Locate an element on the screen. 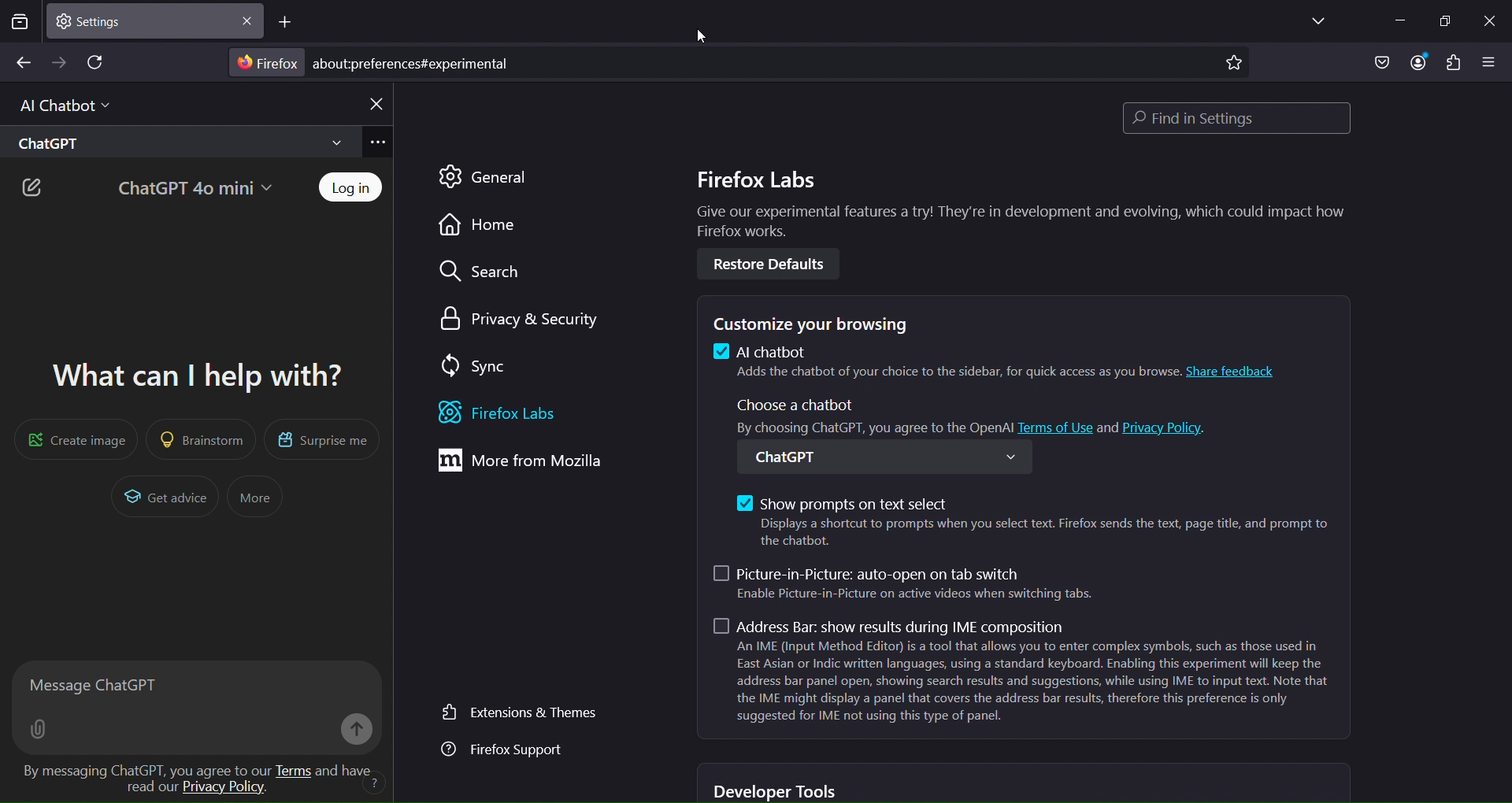 This screenshot has width=1512, height=803. [J Address Bar: show results during IME composition
An IME (Input Method Editor) is a tool that allows you to enter complex symbols, such as those used in
East Asian or Indic written languages, using a standard keyboard. Enabling this experiment will keep the
address bar panel open, showing search results and suggestions, while using IME to input text. Note that
the IME might display a panel that covers the address bar results, therefore this preference is only
suggested for IME not using this type of panel. is located at coordinates (1026, 675).